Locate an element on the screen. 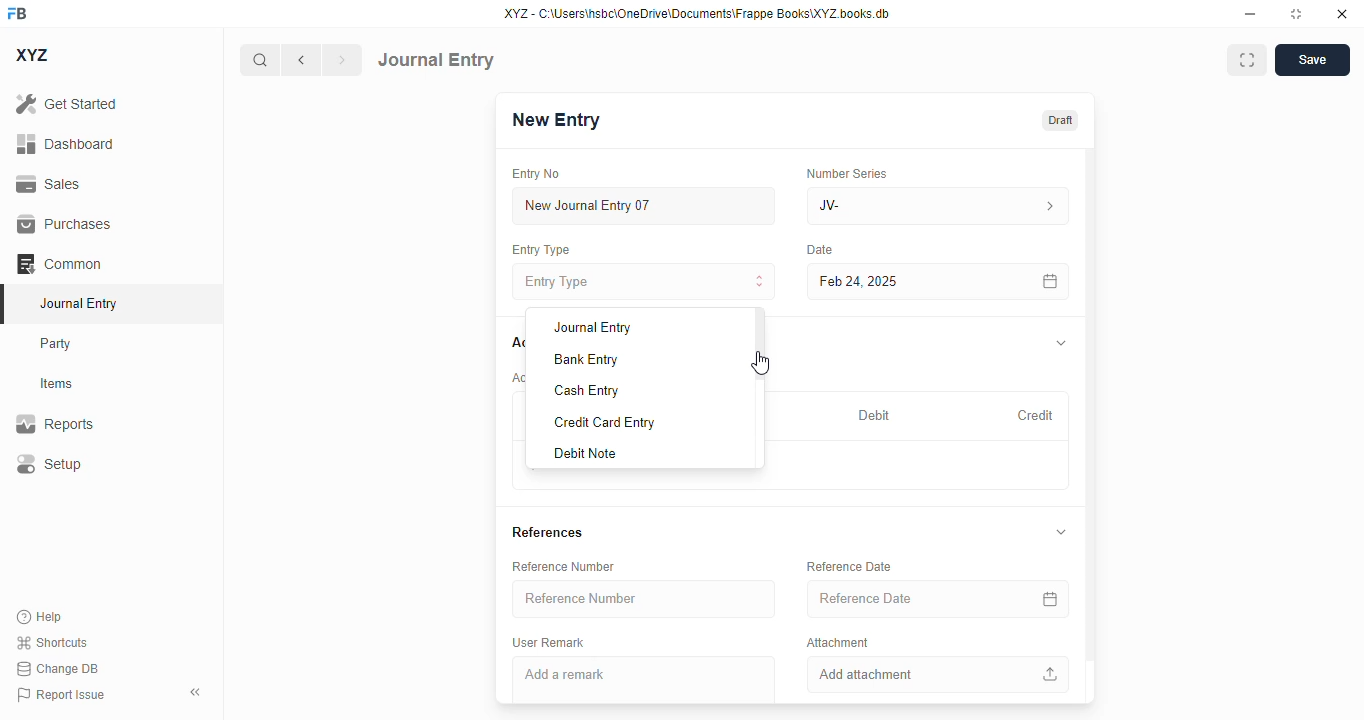 The width and height of the screenshot is (1364, 720). toggle maximize is located at coordinates (1296, 14).